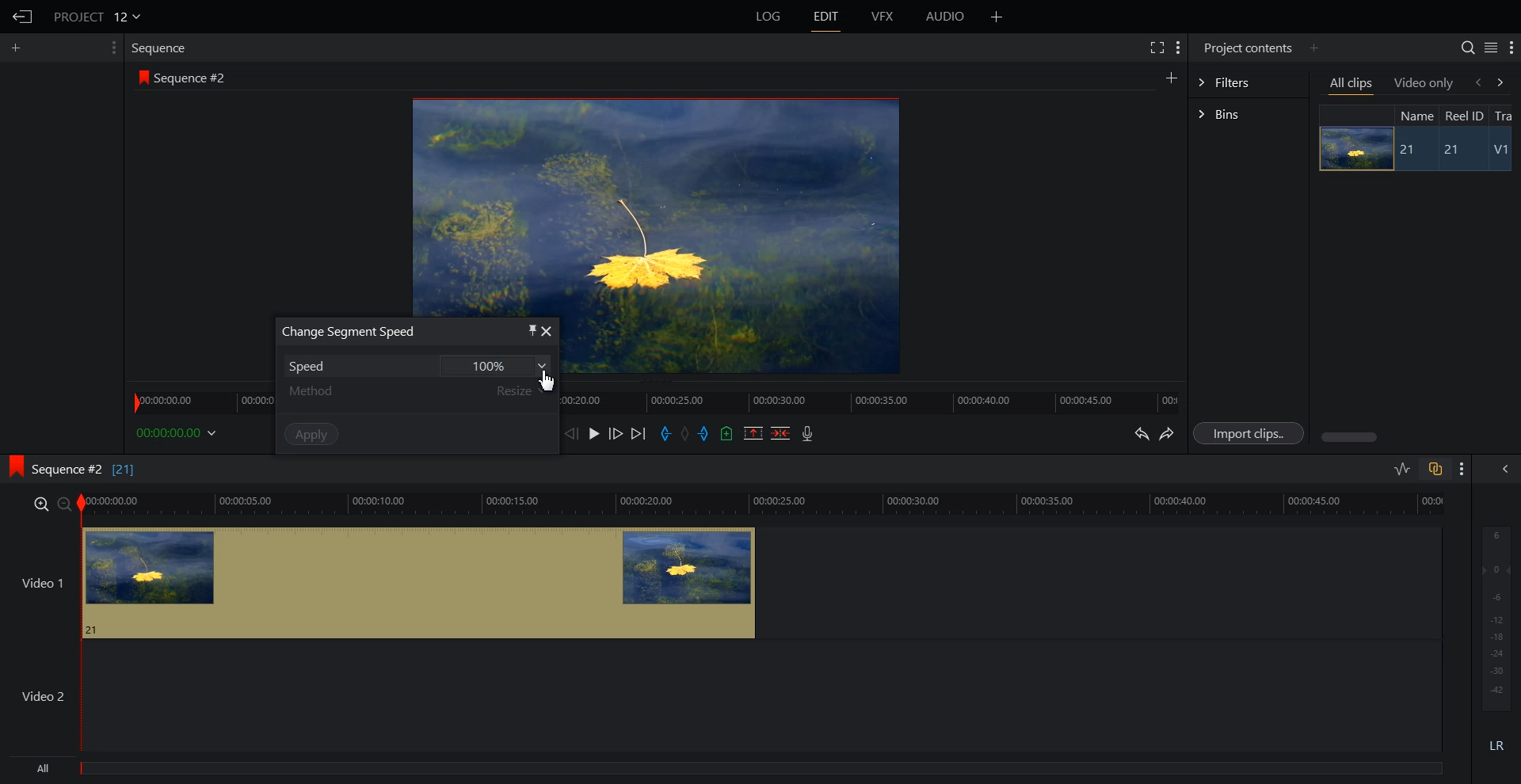 Image resolution: width=1521 pixels, height=784 pixels. What do you see at coordinates (517, 394) in the screenshot?
I see `Resize` at bounding box center [517, 394].